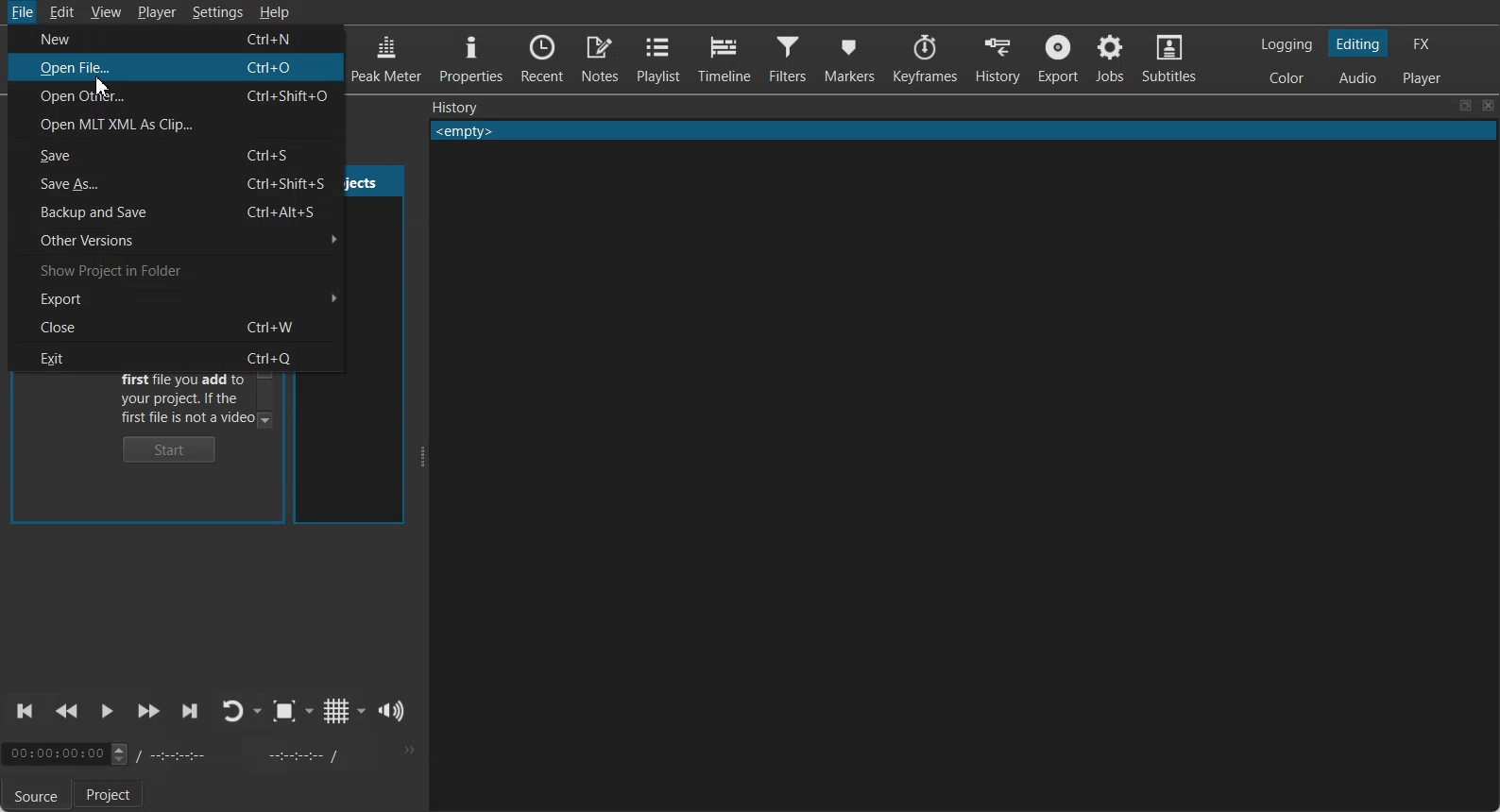 The height and width of the screenshot is (812, 1500). What do you see at coordinates (108, 326) in the screenshot?
I see `Close` at bounding box center [108, 326].